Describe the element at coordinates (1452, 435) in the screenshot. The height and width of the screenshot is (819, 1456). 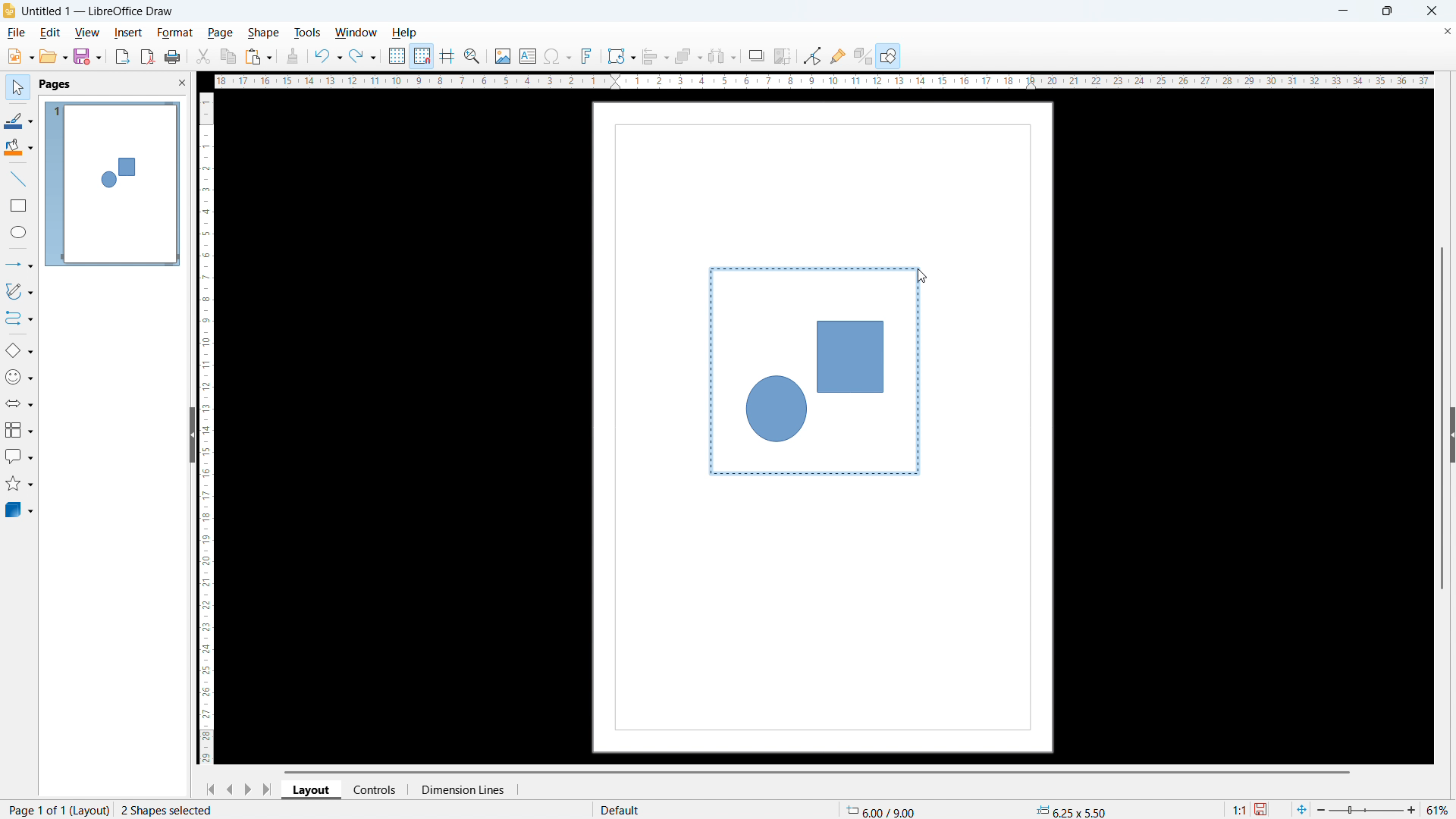
I see `expand sidebar` at that location.